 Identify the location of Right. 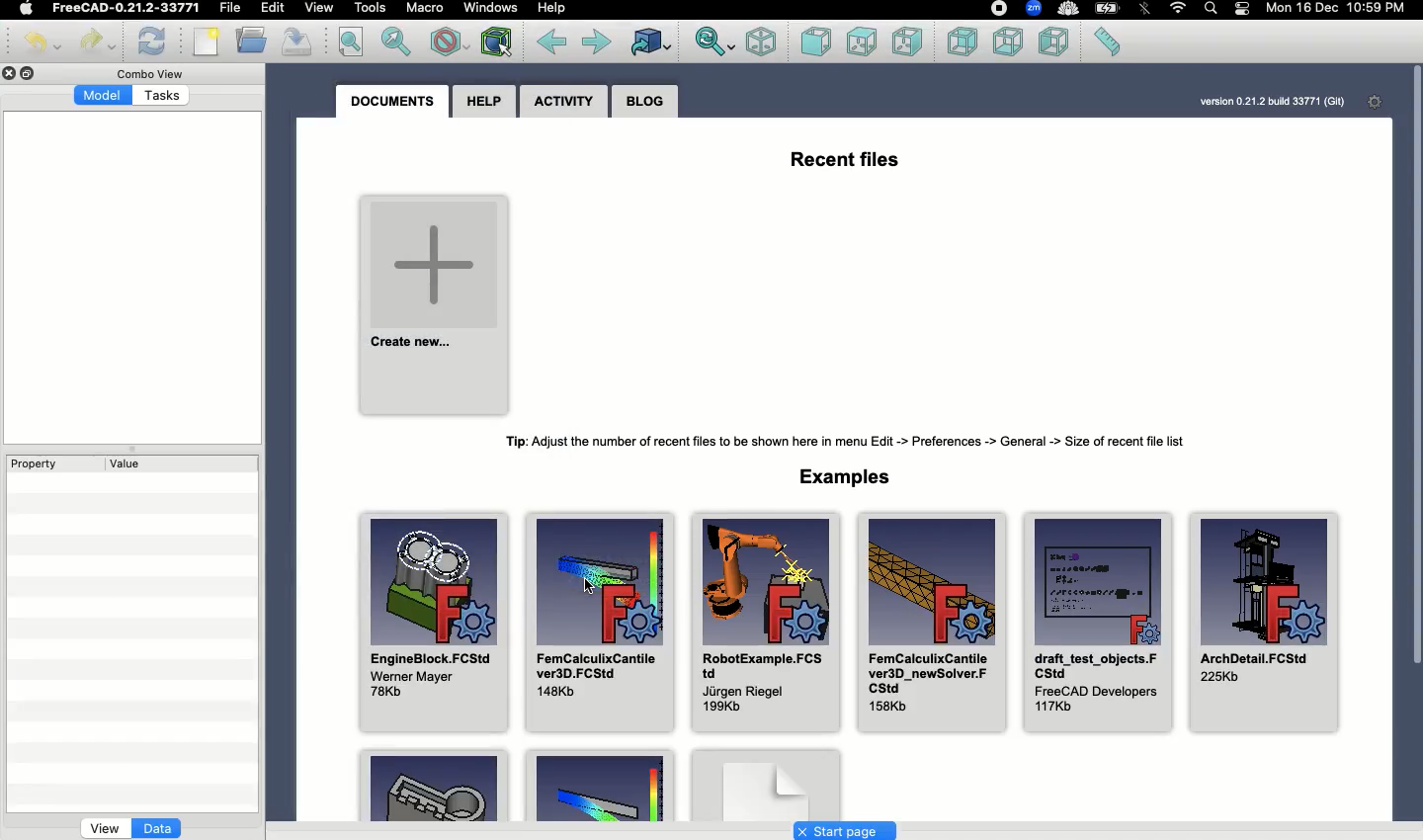
(913, 42).